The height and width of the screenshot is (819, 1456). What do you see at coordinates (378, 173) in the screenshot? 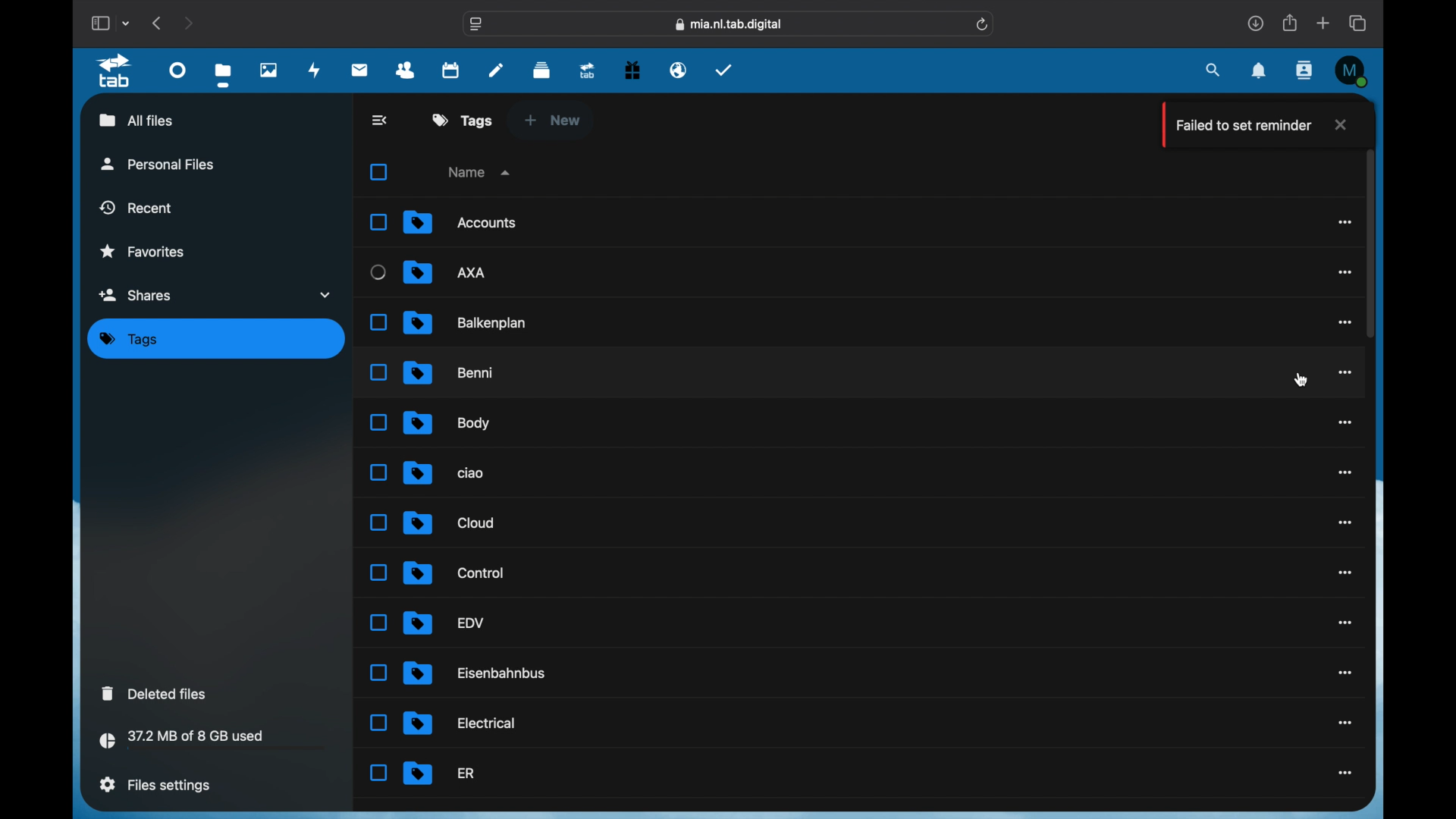
I see `Select all checkbox` at bounding box center [378, 173].